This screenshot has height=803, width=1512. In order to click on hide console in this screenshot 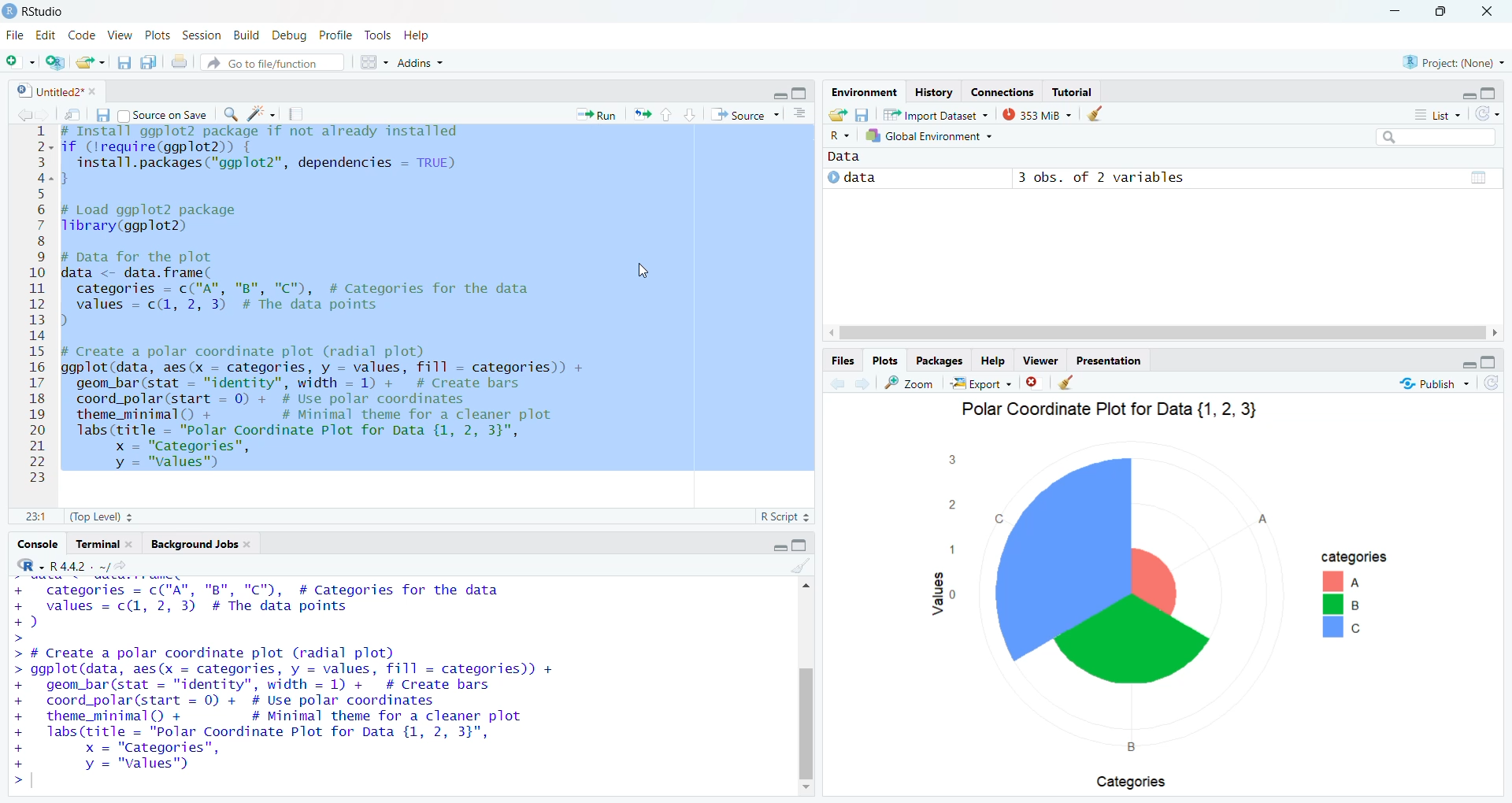, I will do `click(1490, 92)`.